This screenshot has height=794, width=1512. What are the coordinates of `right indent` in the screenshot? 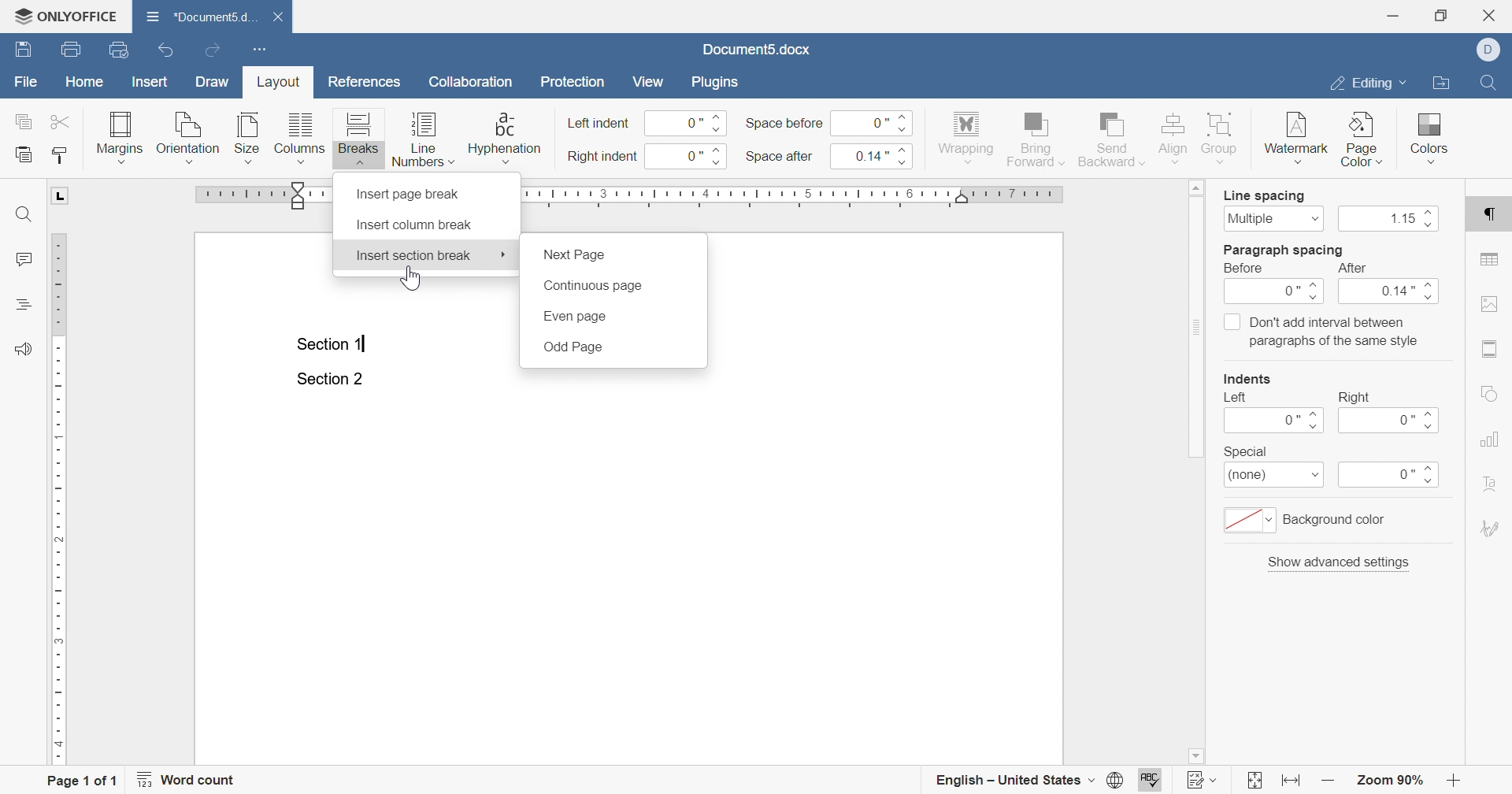 It's located at (603, 157).